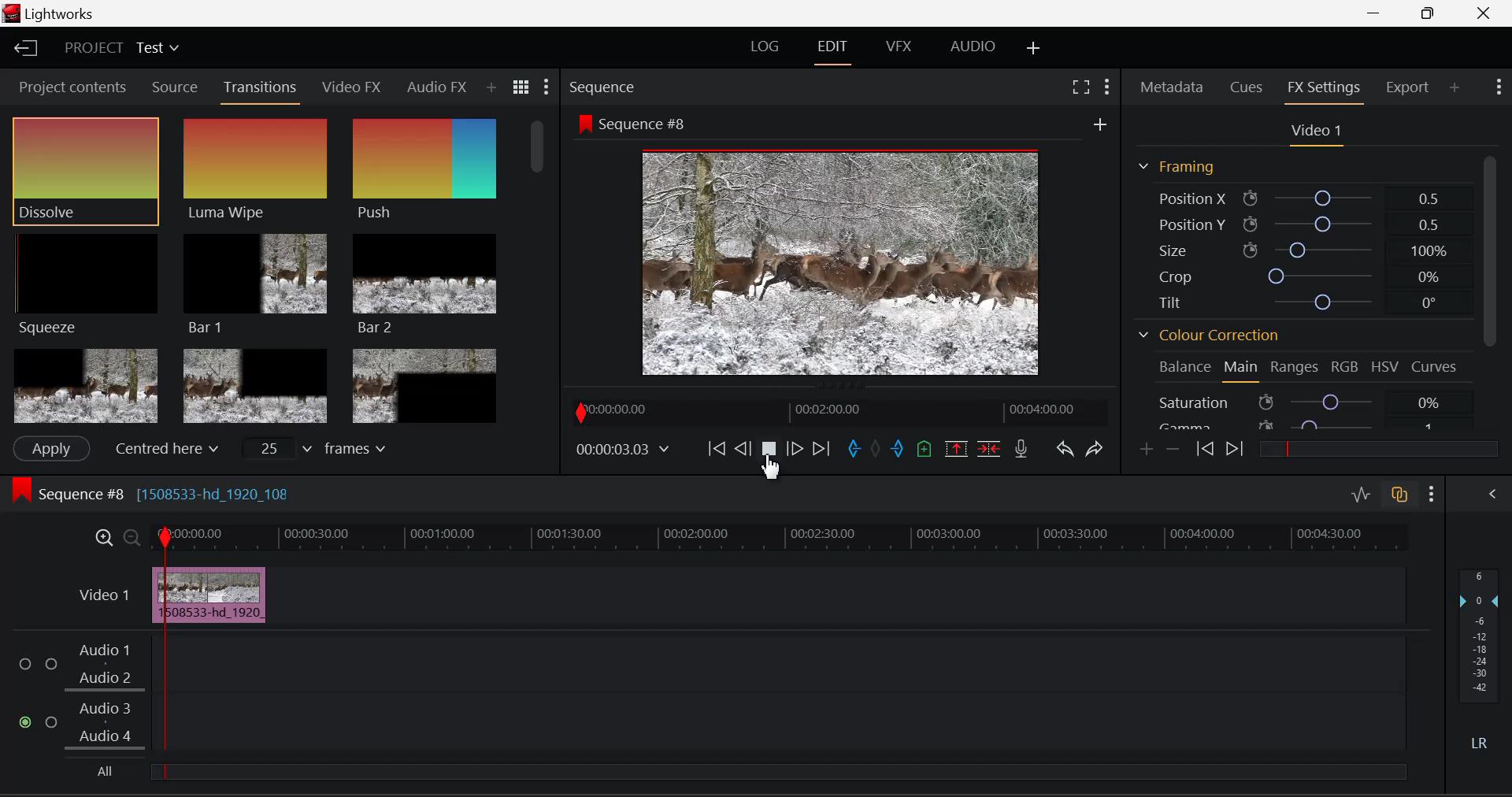 This screenshot has width=1512, height=797. What do you see at coordinates (605, 87) in the screenshot?
I see `Sequence Preview Section` at bounding box center [605, 87].